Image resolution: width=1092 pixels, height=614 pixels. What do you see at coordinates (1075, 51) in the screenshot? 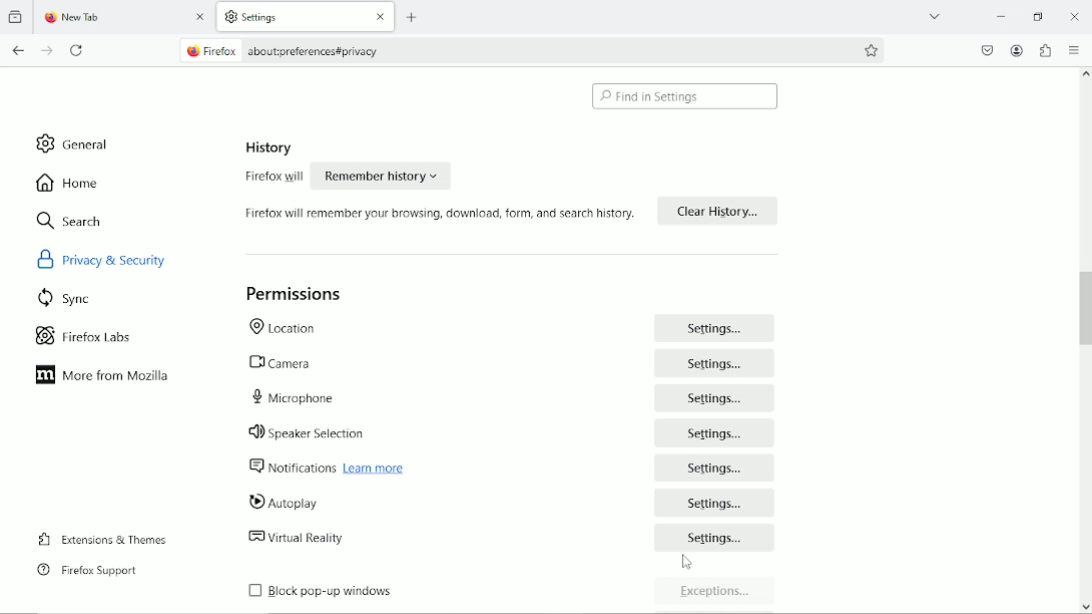
I see `Open application menu` at bounding box center [1075, 51].